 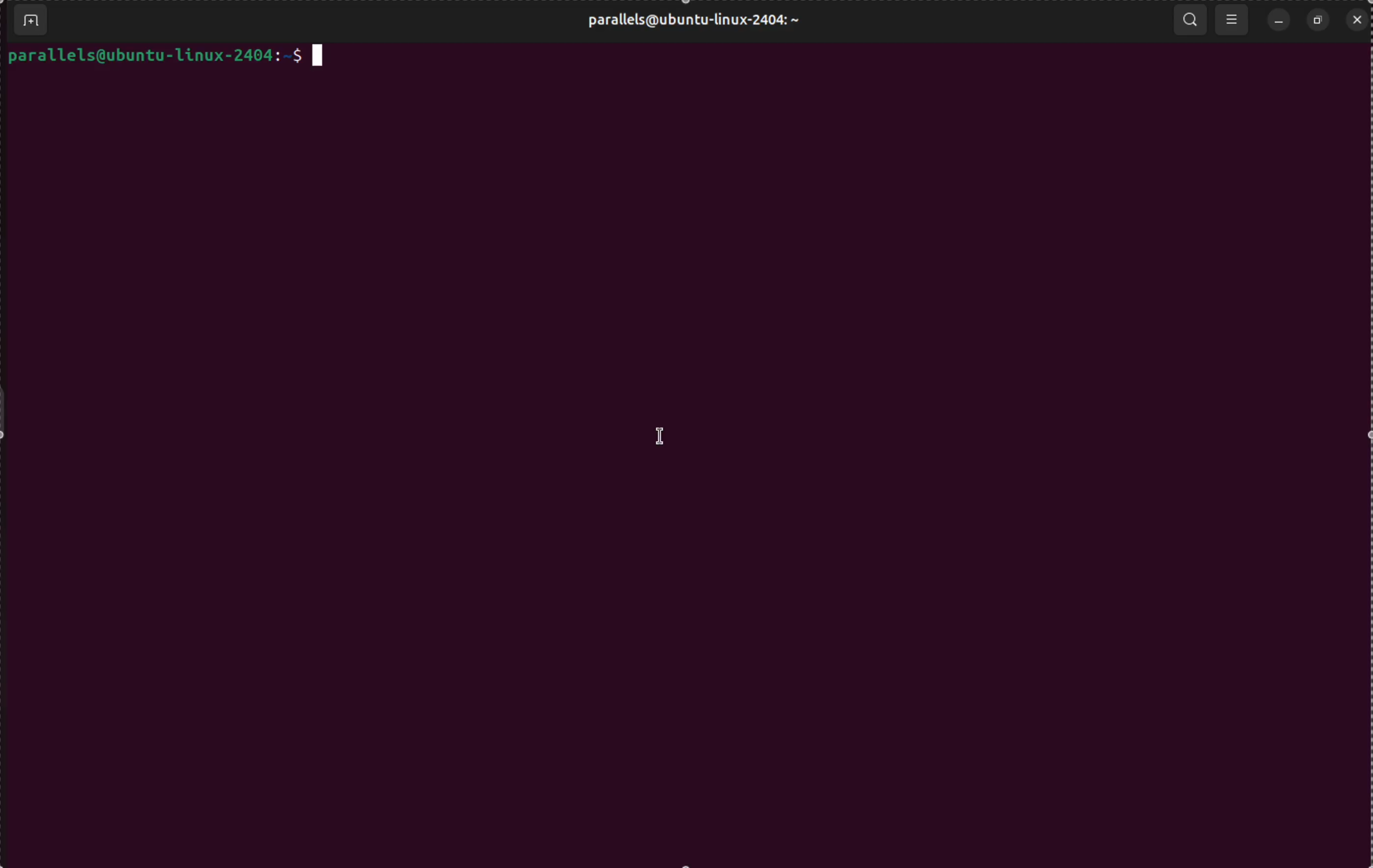 I want to click on user profile, so click(x=690, y=22).